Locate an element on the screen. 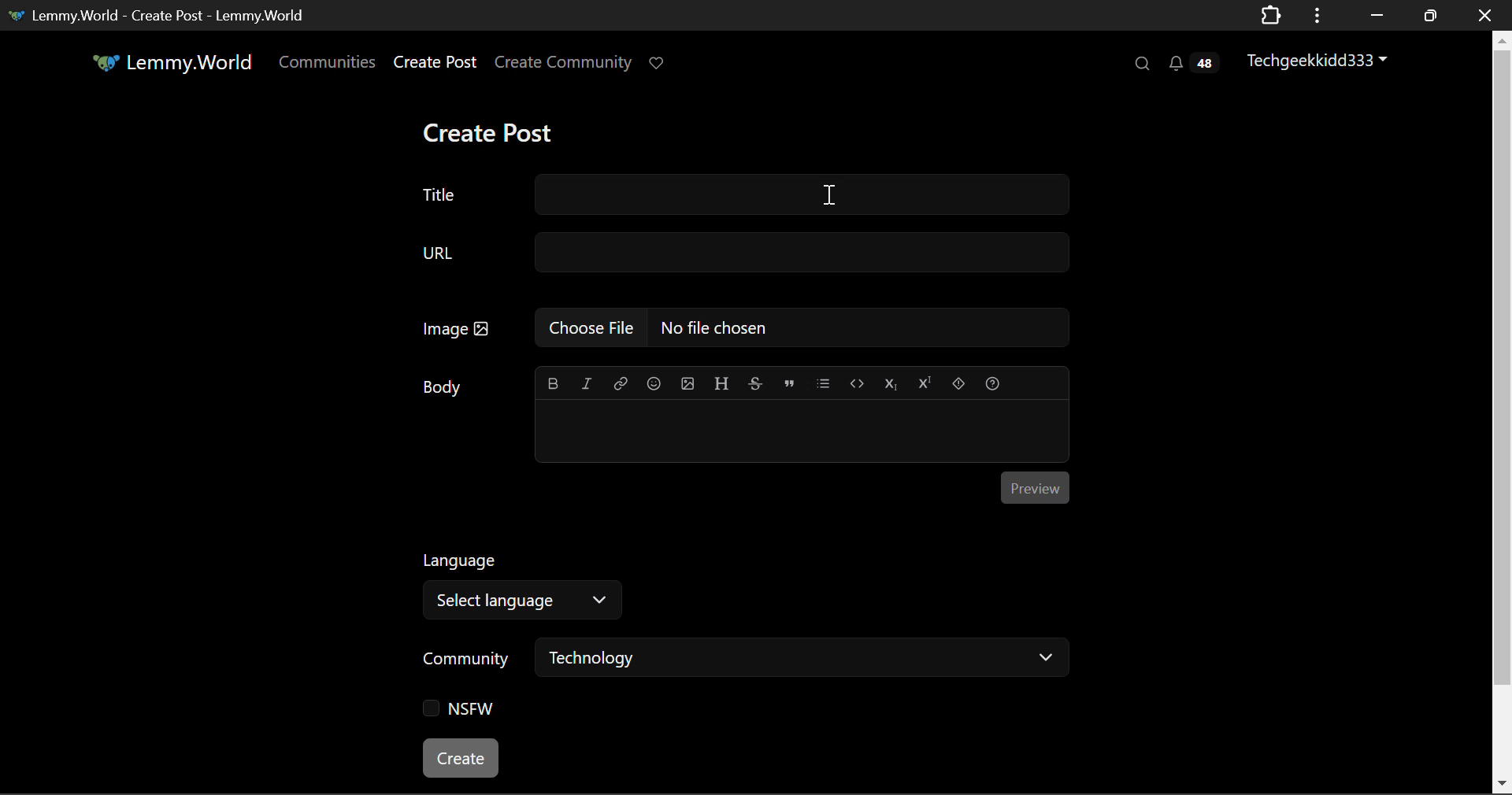  Application Options Menu is located at coordinates (1317, 14).